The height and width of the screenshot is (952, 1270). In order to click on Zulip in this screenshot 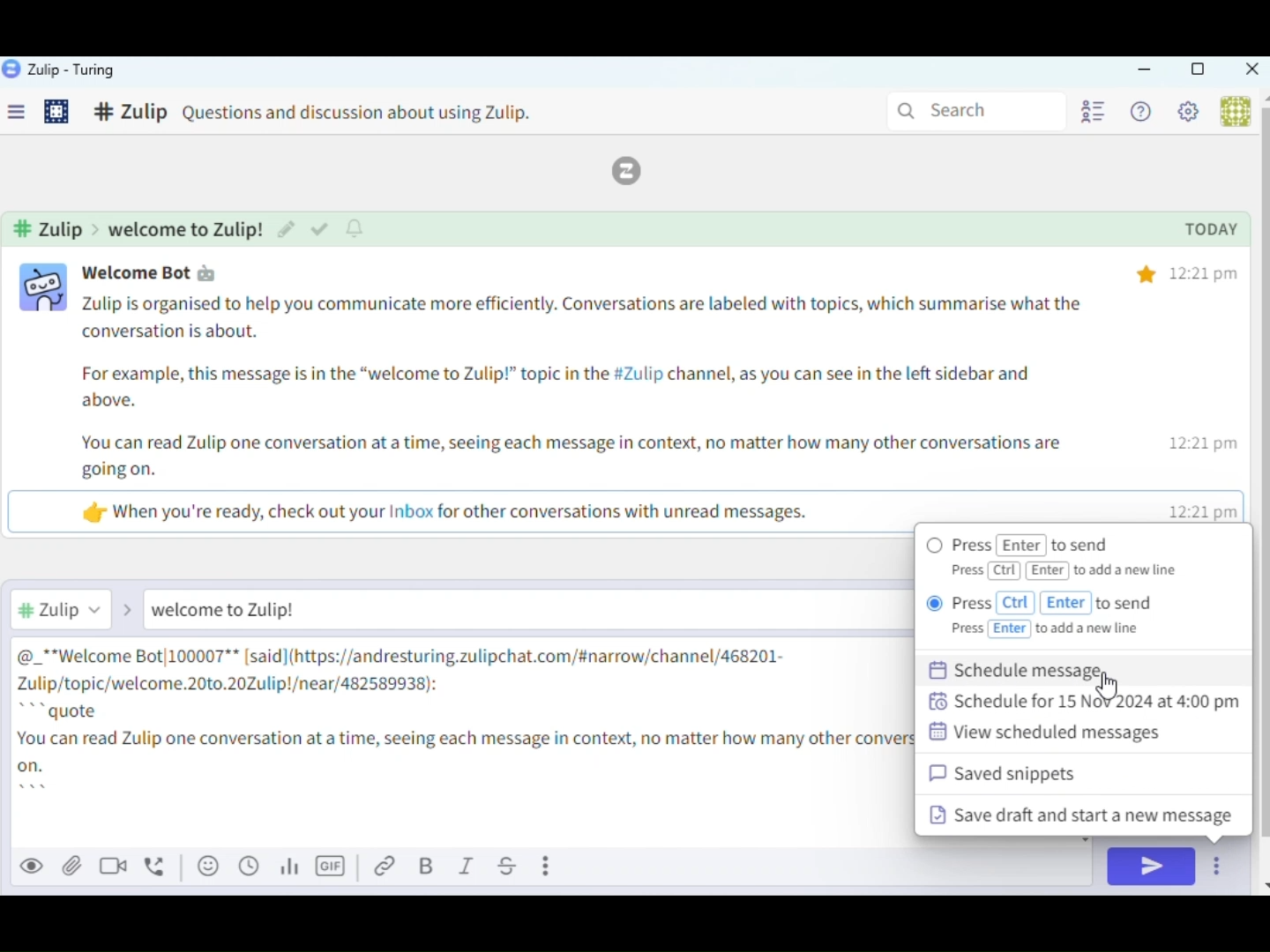, I will do `click(60, 71)`.